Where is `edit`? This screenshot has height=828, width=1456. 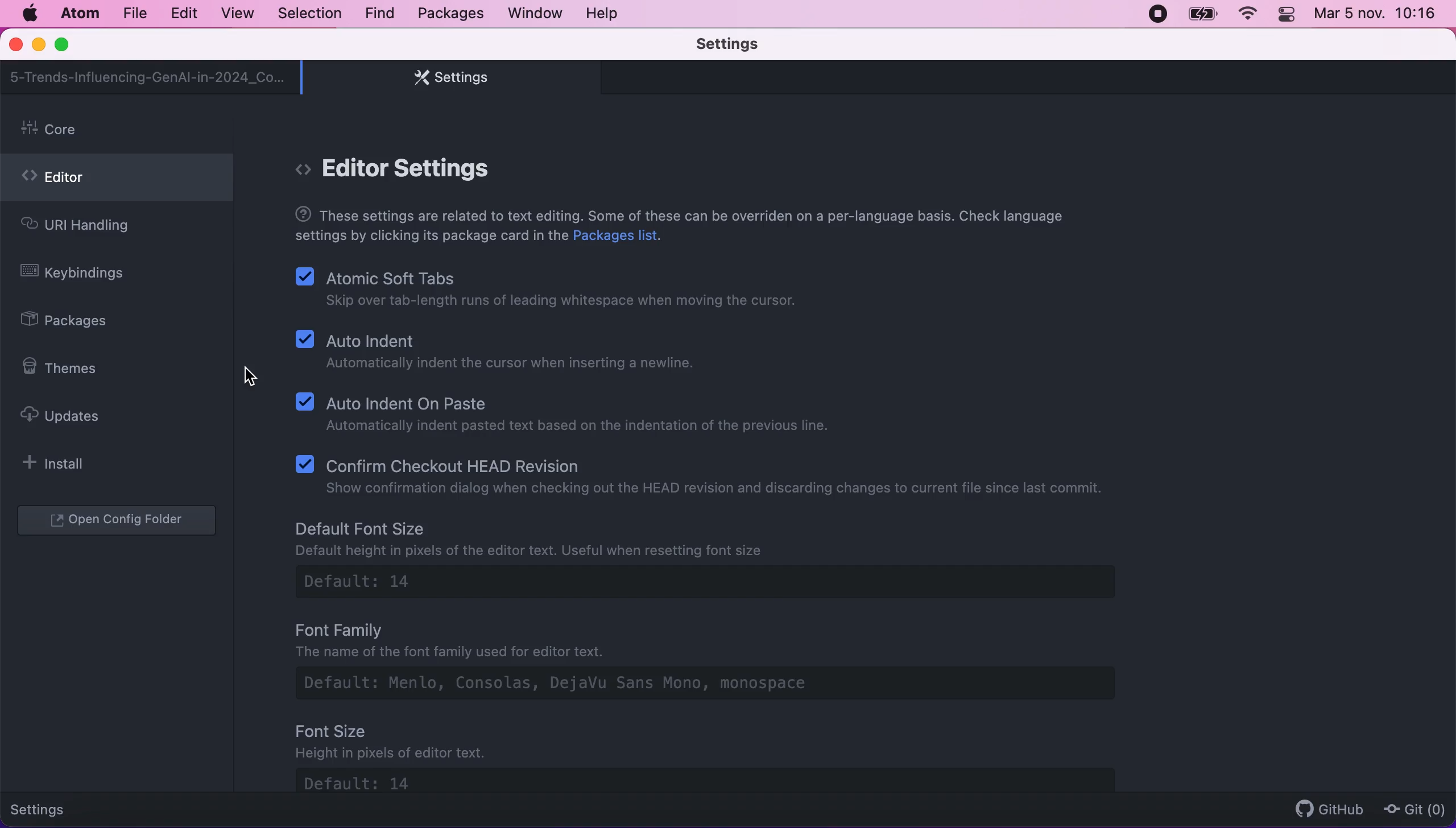
edit is located at coordinates (183, 14).